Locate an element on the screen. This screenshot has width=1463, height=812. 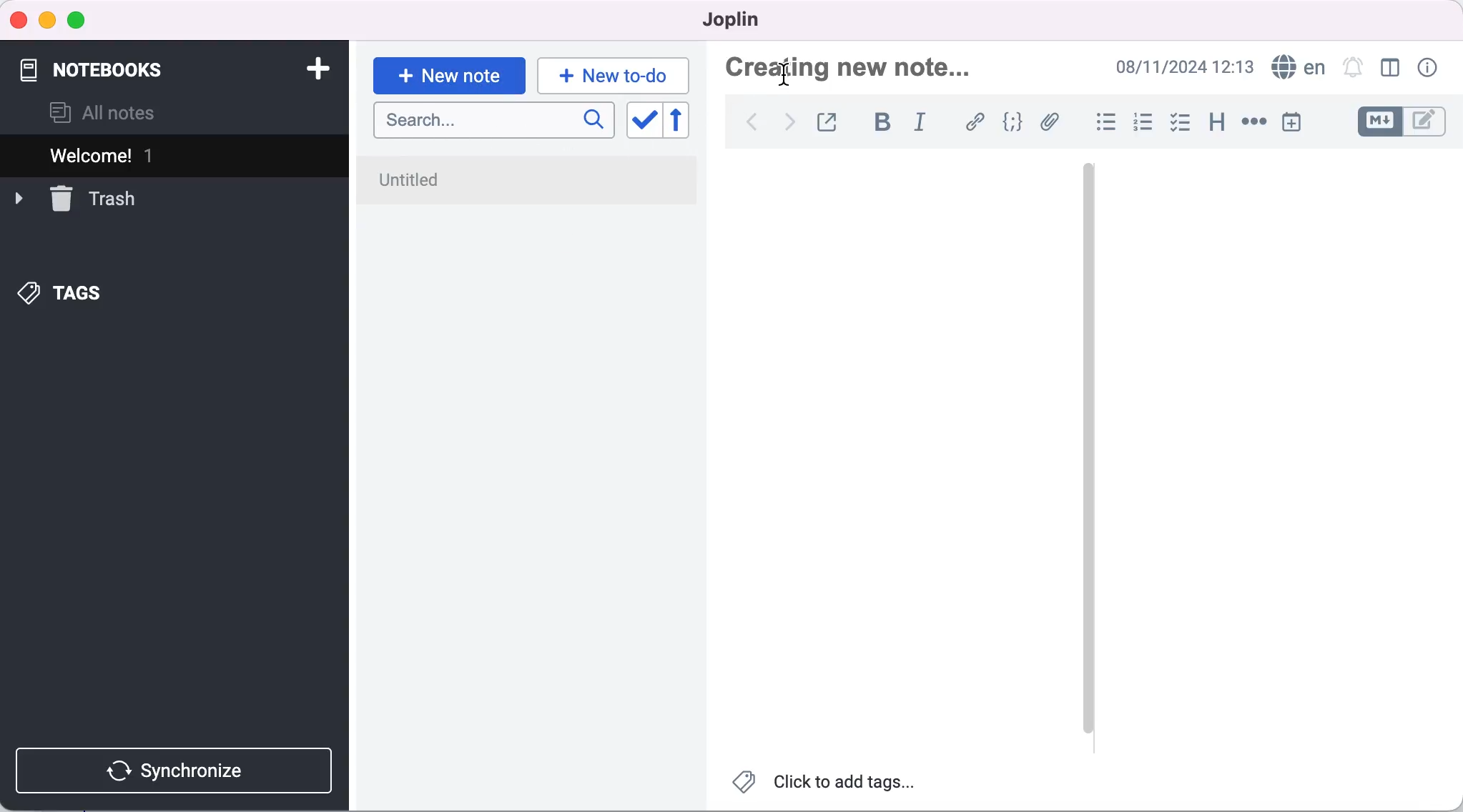
bold is located at coordinates (888, 124).